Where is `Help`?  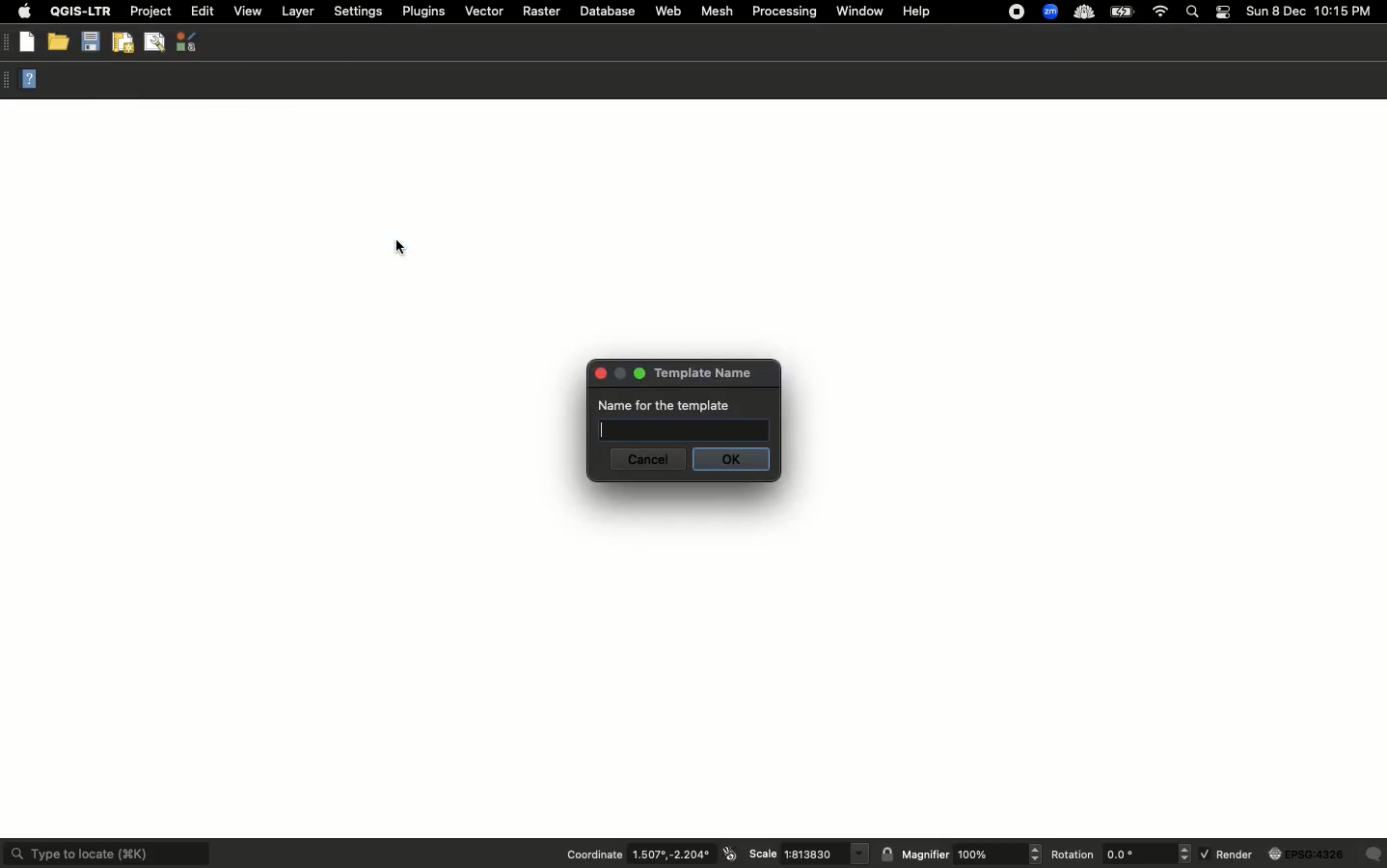
Help is located at coordinates (920, 10).